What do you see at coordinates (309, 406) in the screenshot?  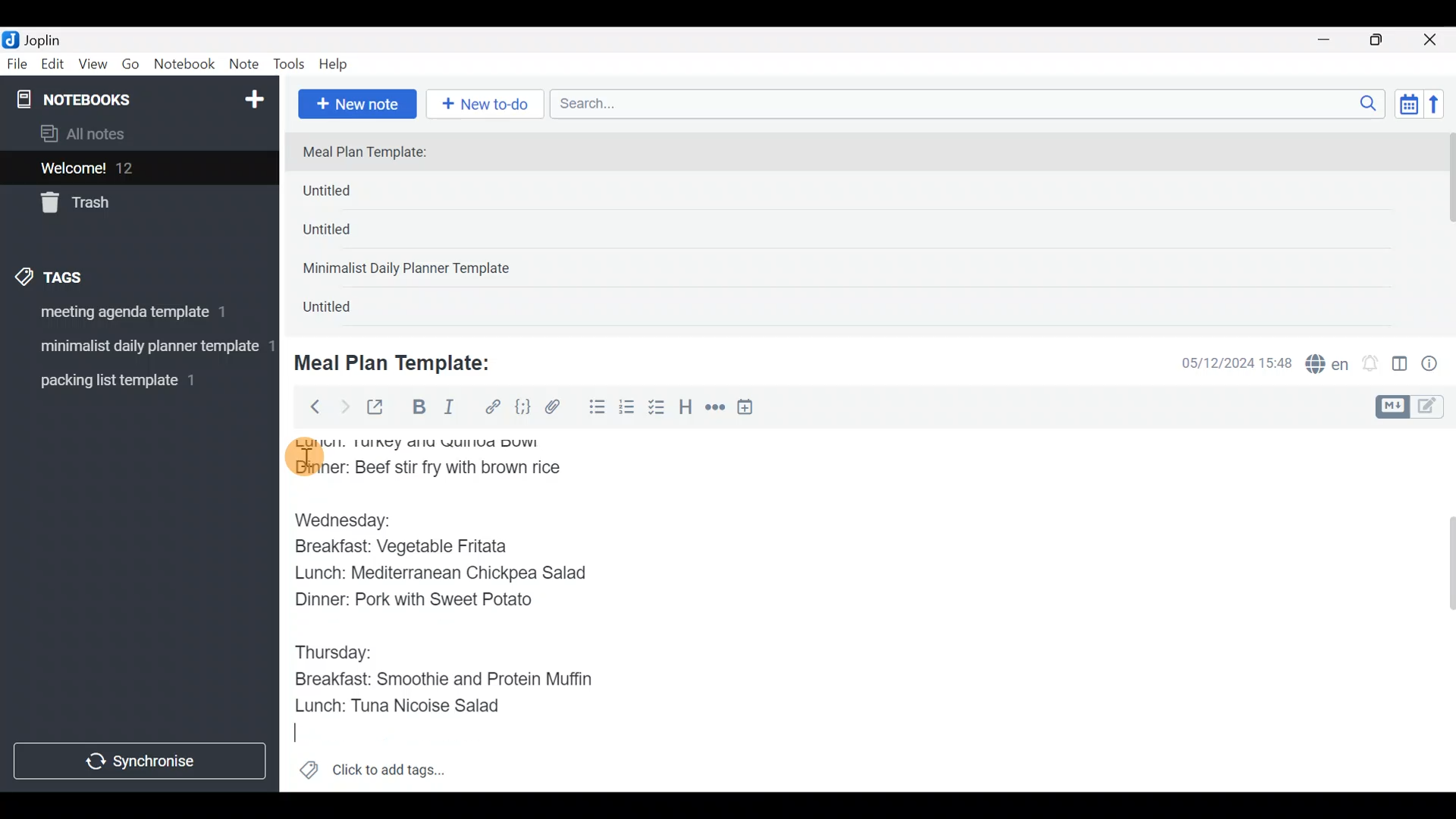 I see `Back` at bounding box center [309, 406].